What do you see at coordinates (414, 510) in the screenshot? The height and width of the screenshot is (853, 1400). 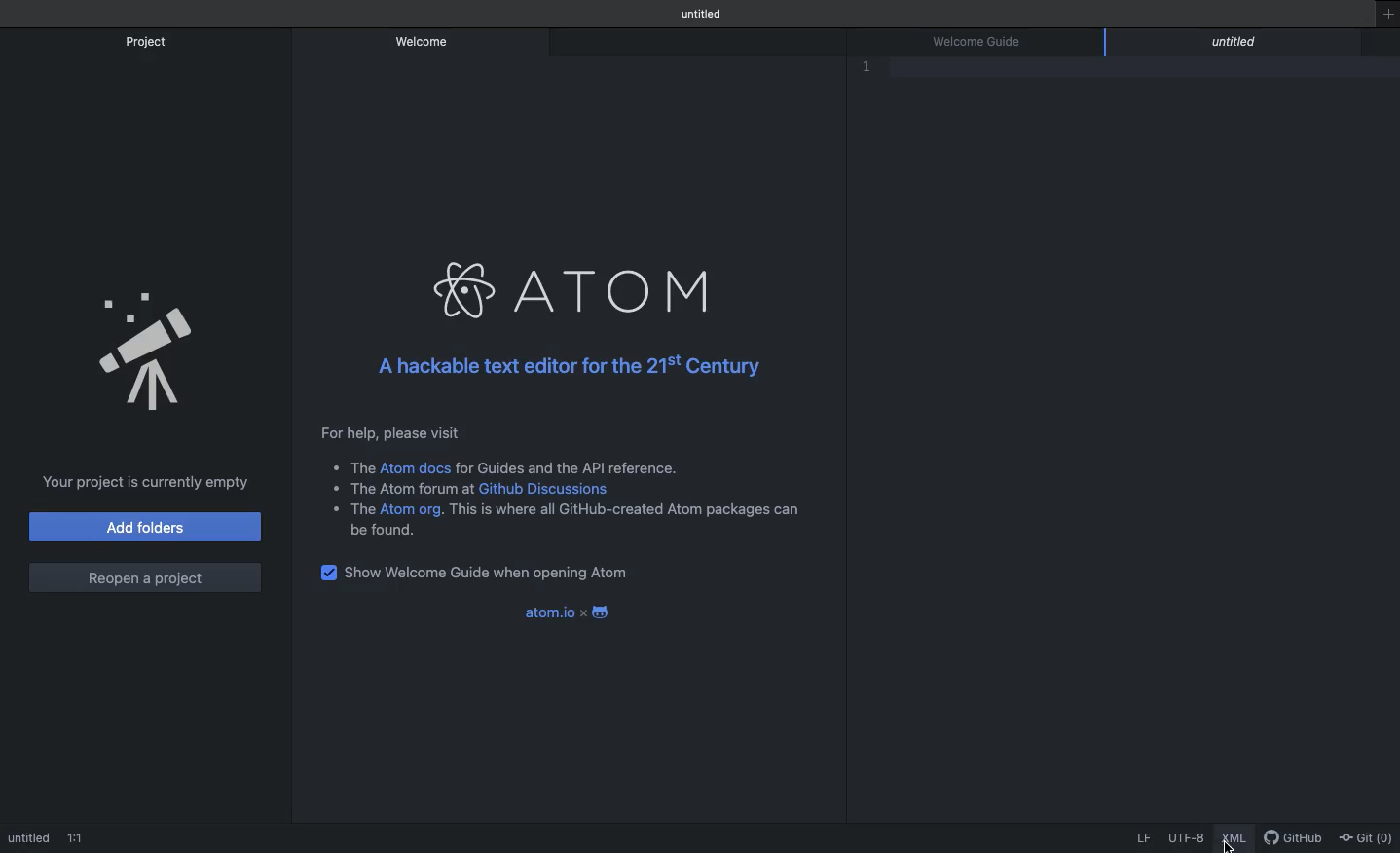 I see `Atom.org` at bounding box center [414, 510].